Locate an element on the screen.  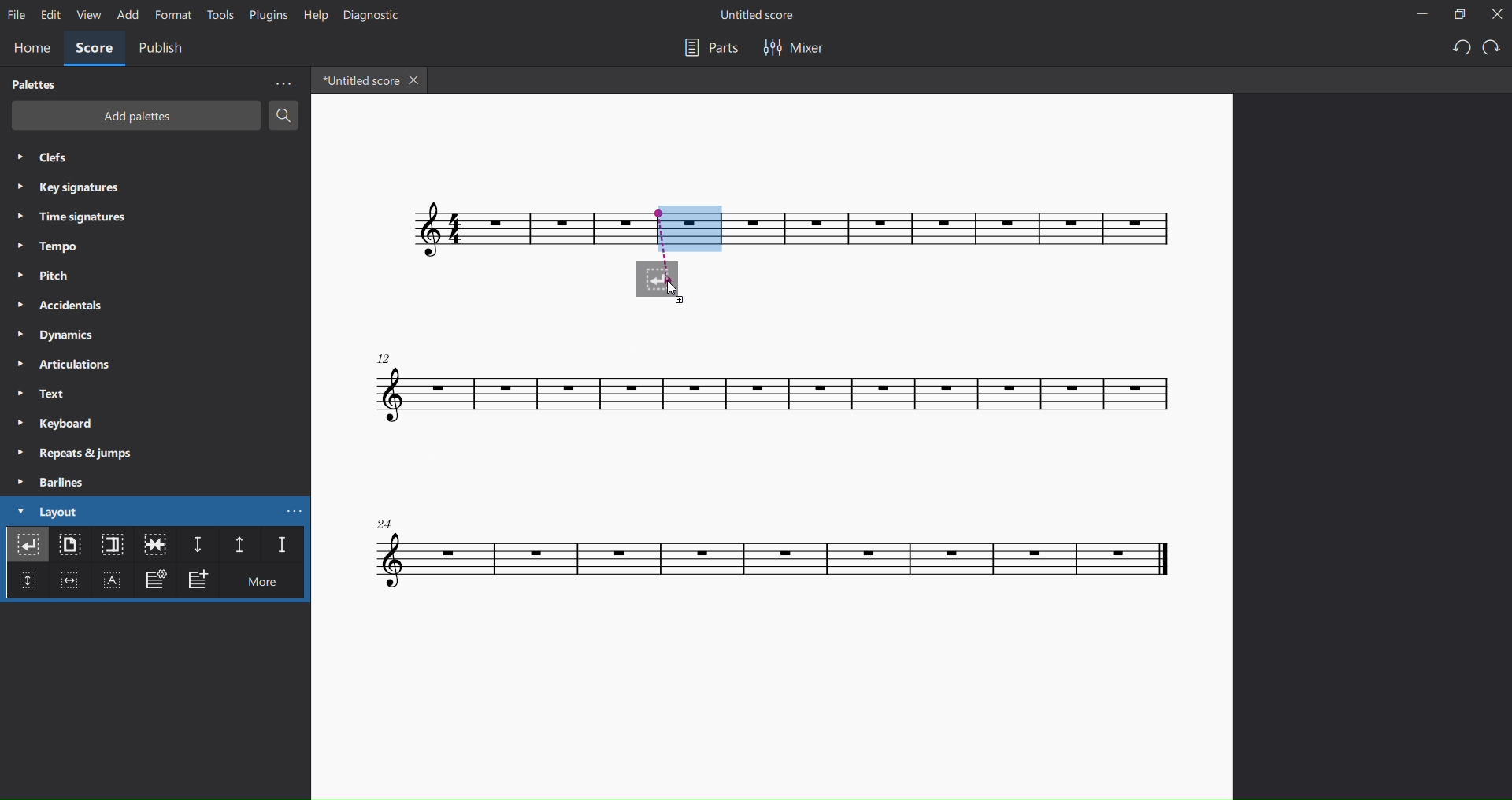
redo is located at coordinates (1492, 49).